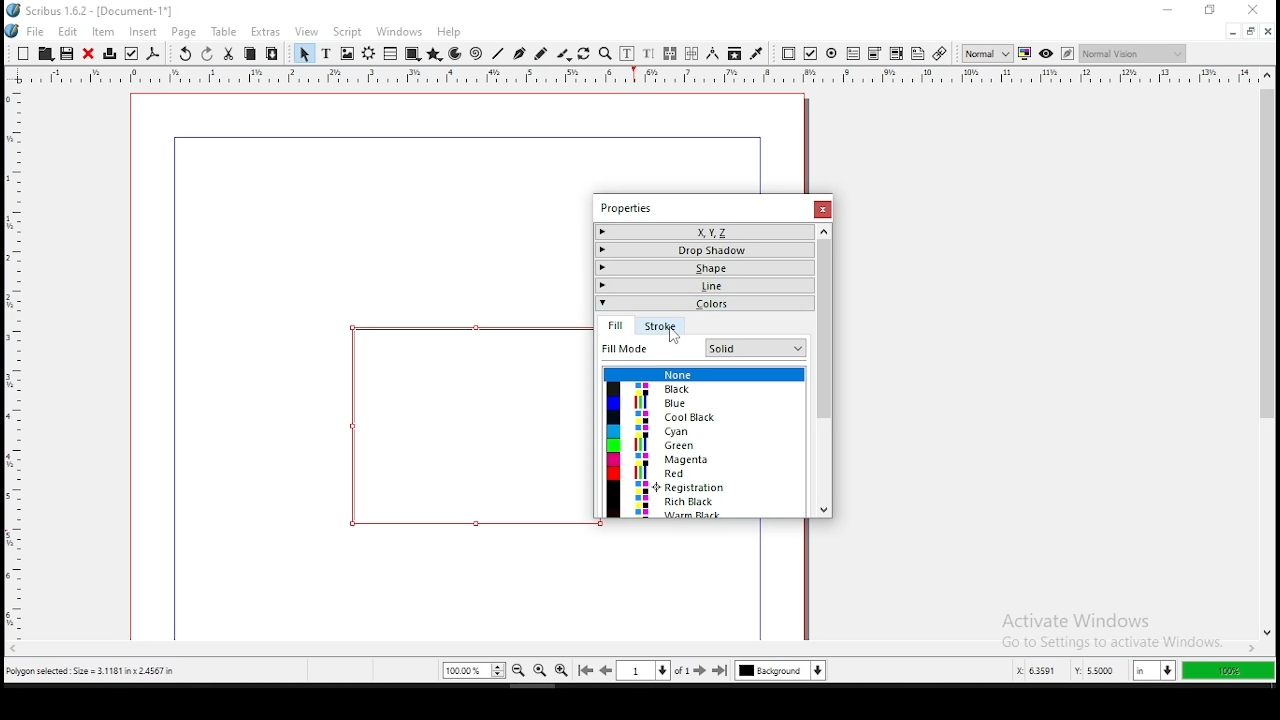 The image size is (1280, 720). I want to click on open, so click(44, 53).